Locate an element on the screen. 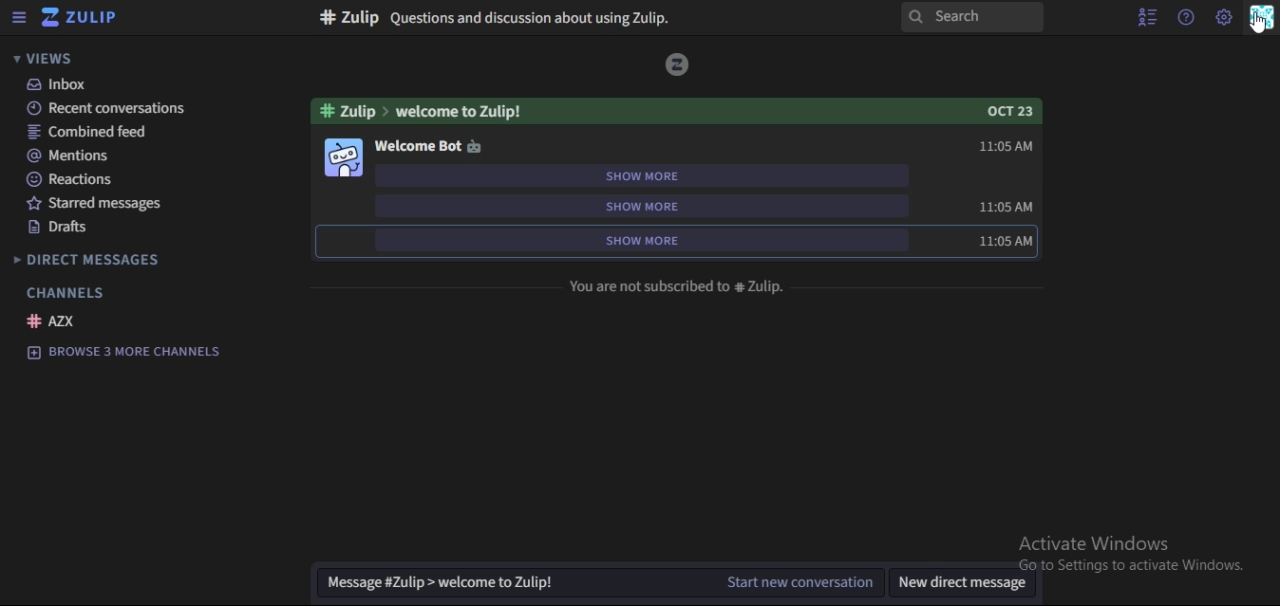 Image resolution: width=1280 pixels, height=606 pixels. image is located at coordinates (342, 157).